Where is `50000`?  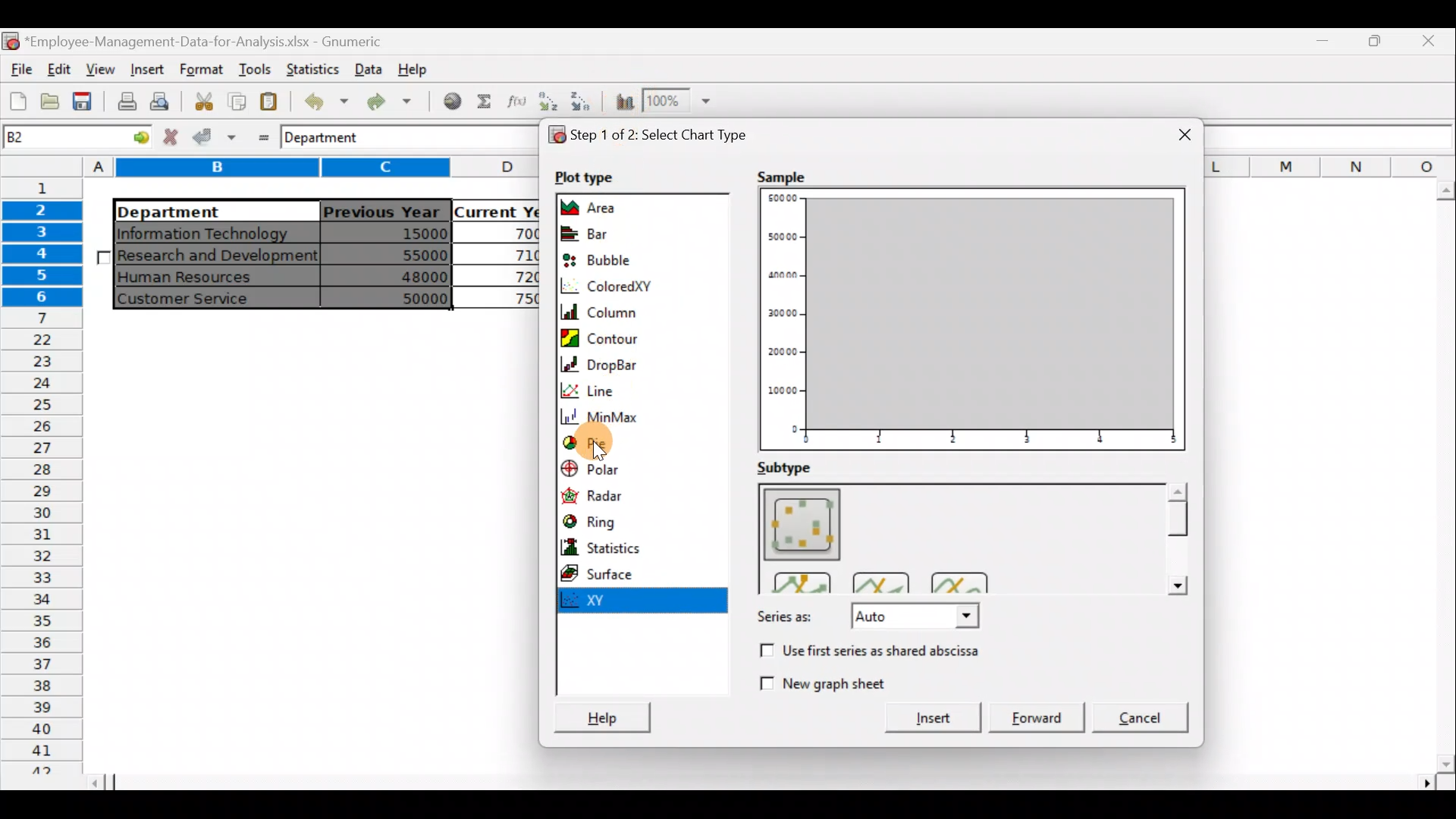 50000 is located at coordinates (402, 297).